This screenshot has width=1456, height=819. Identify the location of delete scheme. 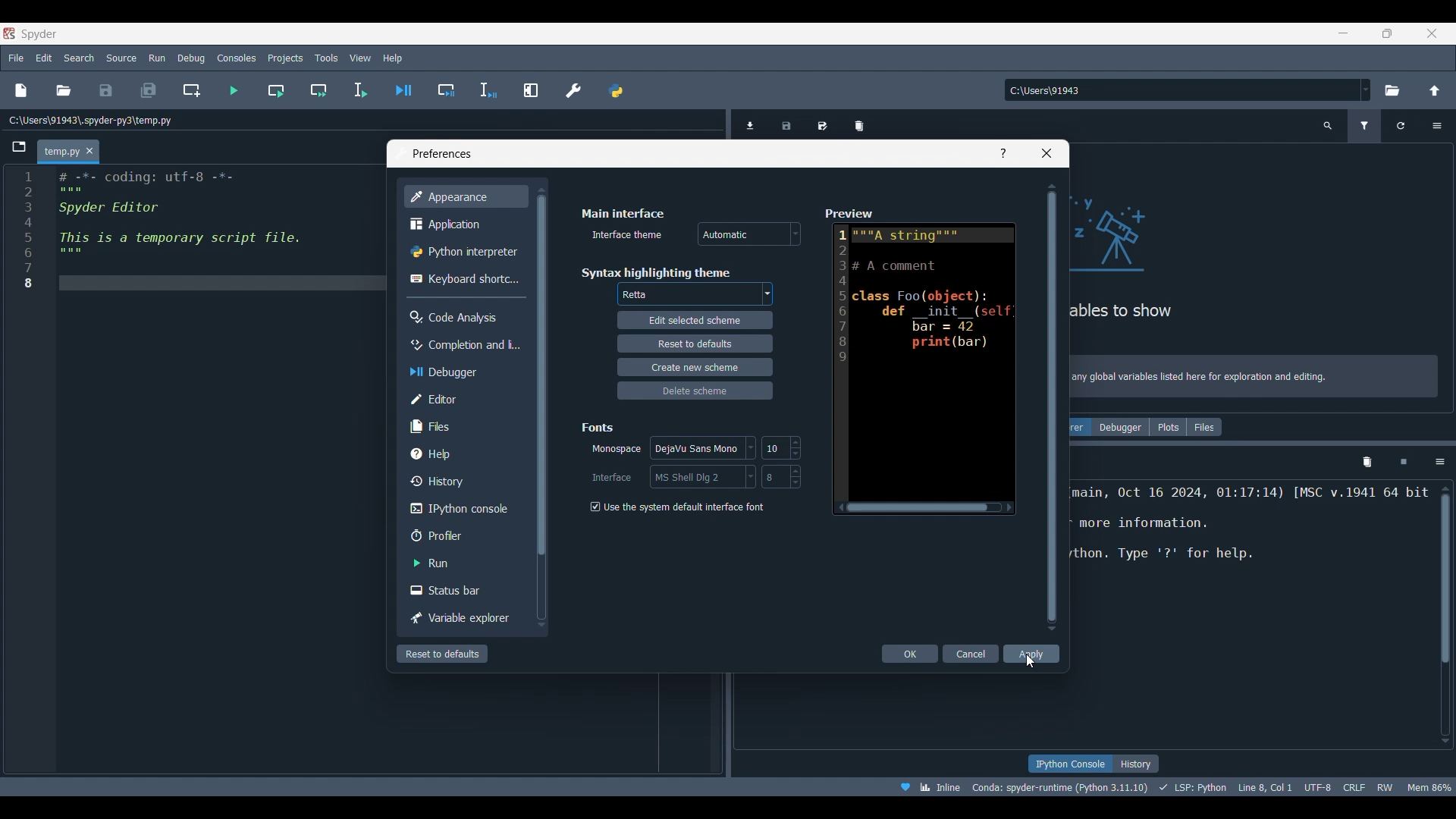
(698, 390).